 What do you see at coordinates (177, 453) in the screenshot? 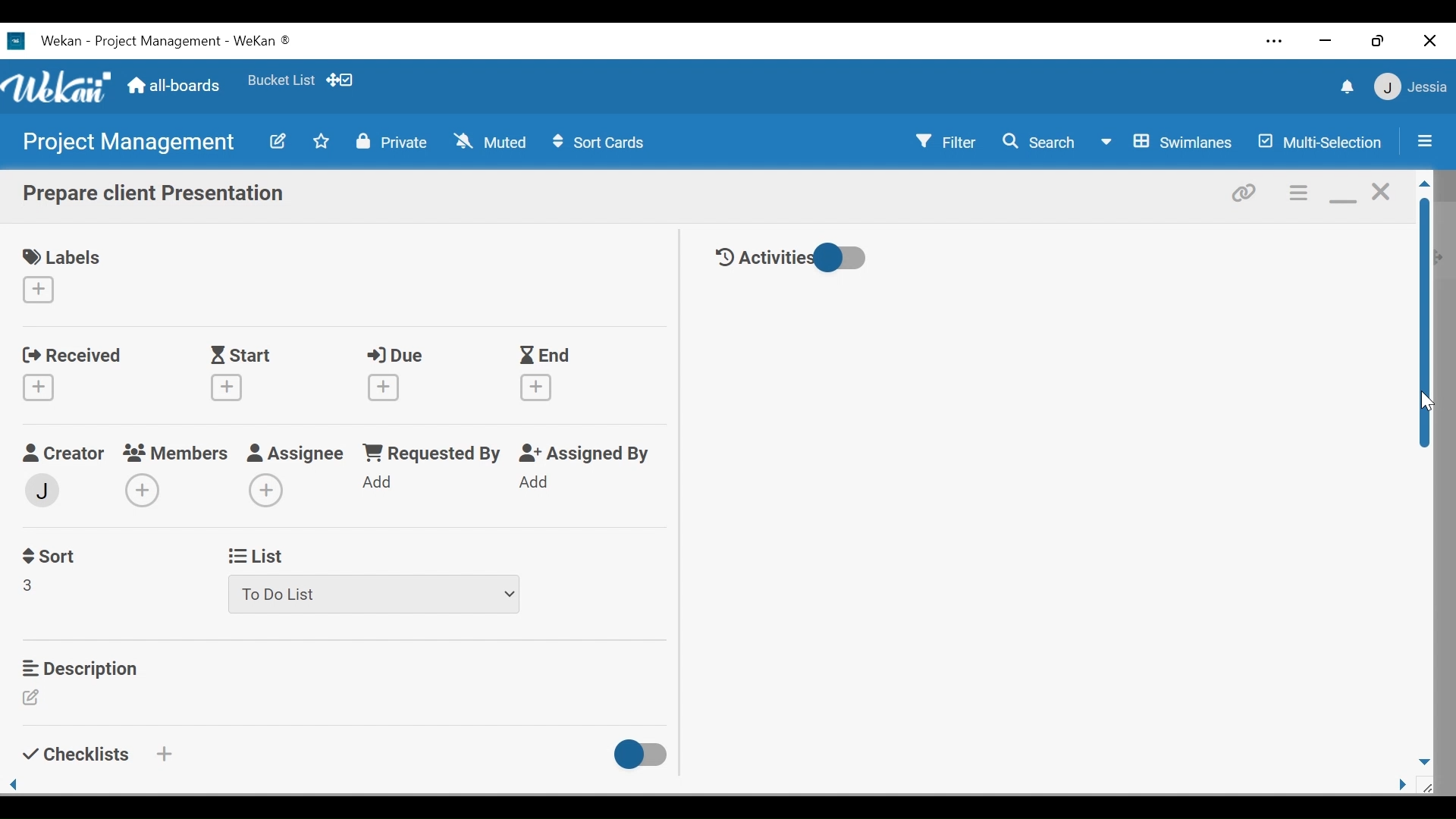
I see `members` at bounding box center [177, 453].